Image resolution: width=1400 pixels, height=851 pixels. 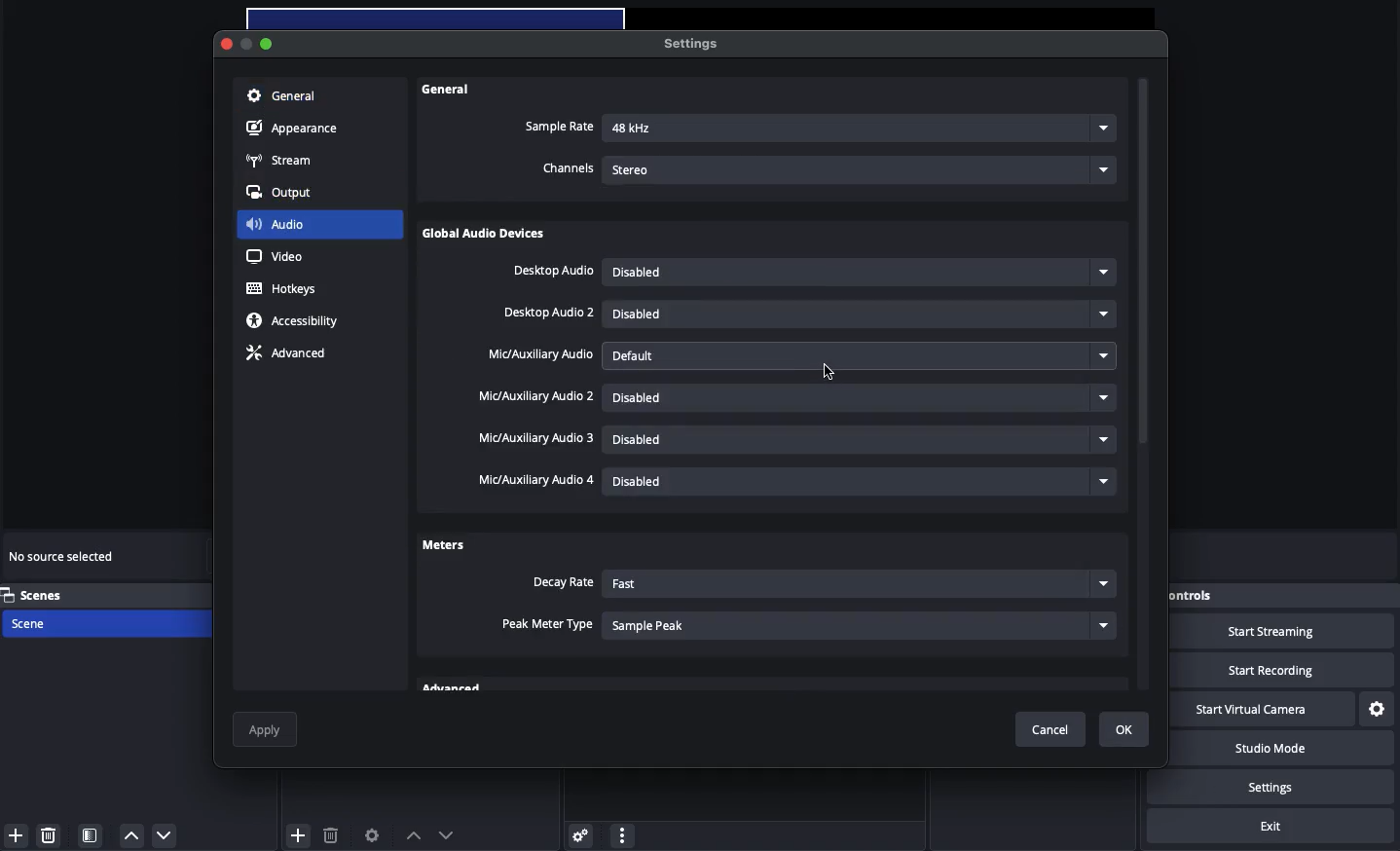 I want to click on Move up, so click(x=413, y=835).